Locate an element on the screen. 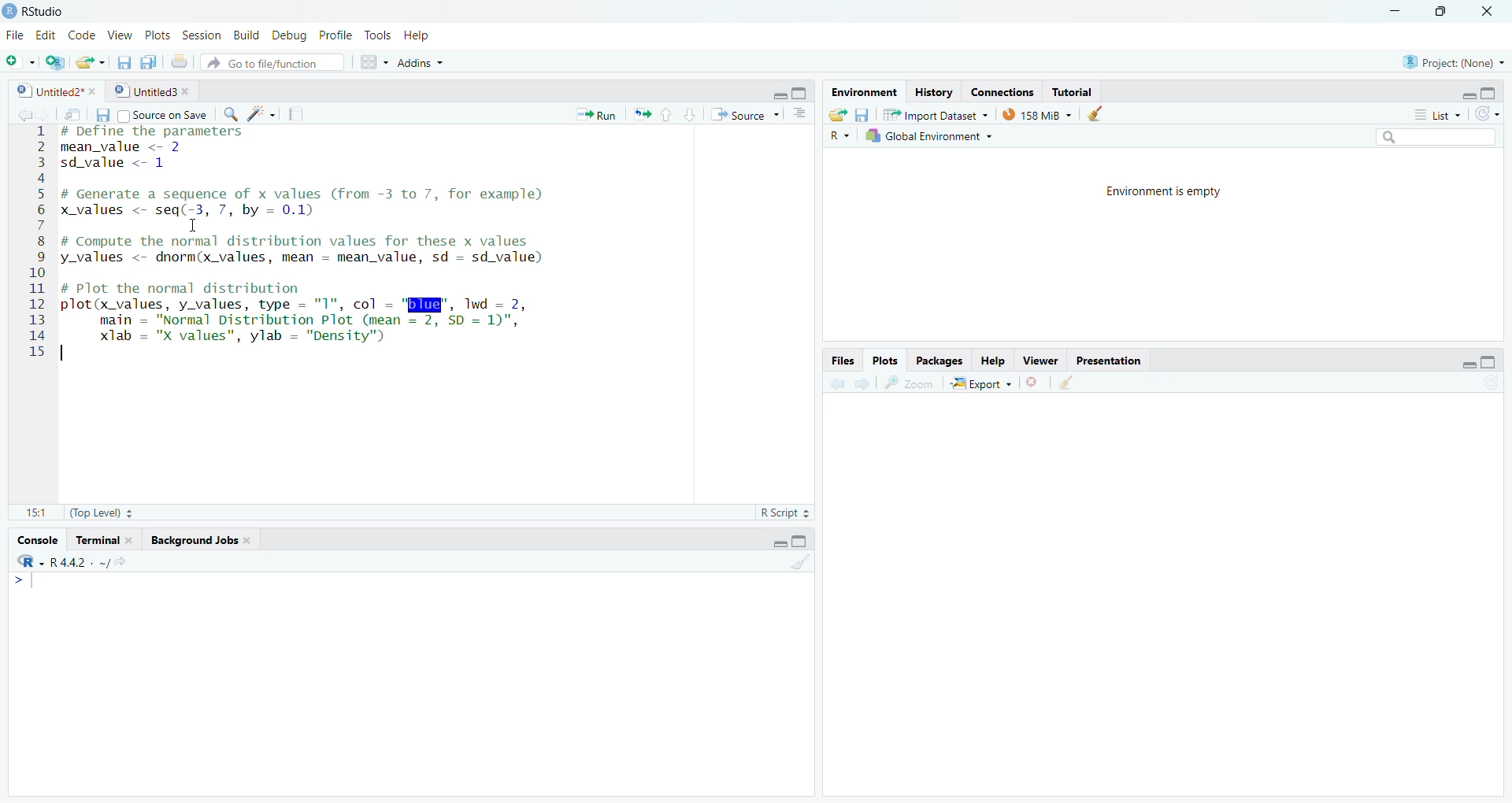 The height and width of the screenshot is (803, 1512). Edit is located at coordinates (46, 32).